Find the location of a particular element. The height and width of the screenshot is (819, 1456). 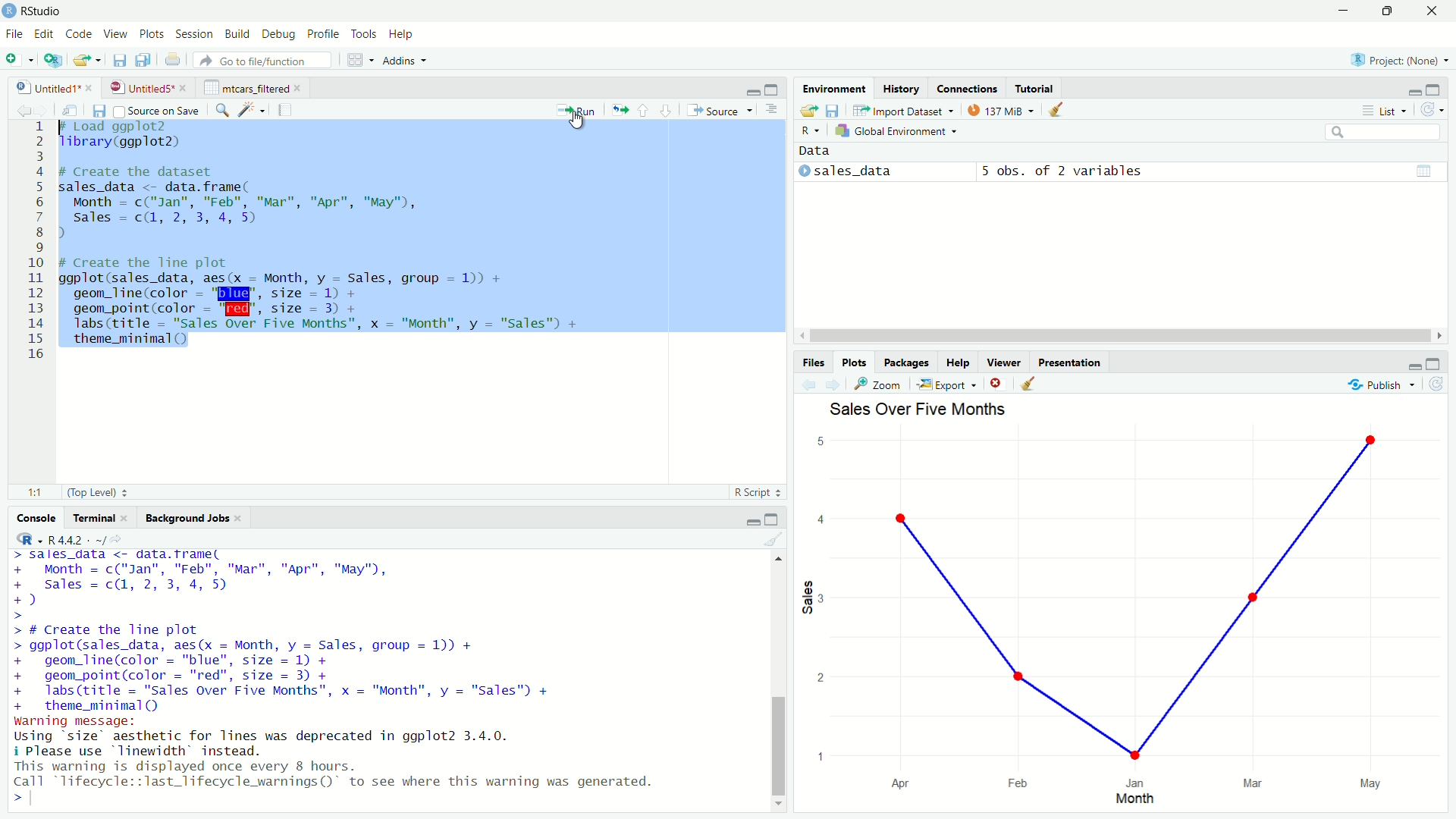

15:18 is located at coordinates (39, 493).